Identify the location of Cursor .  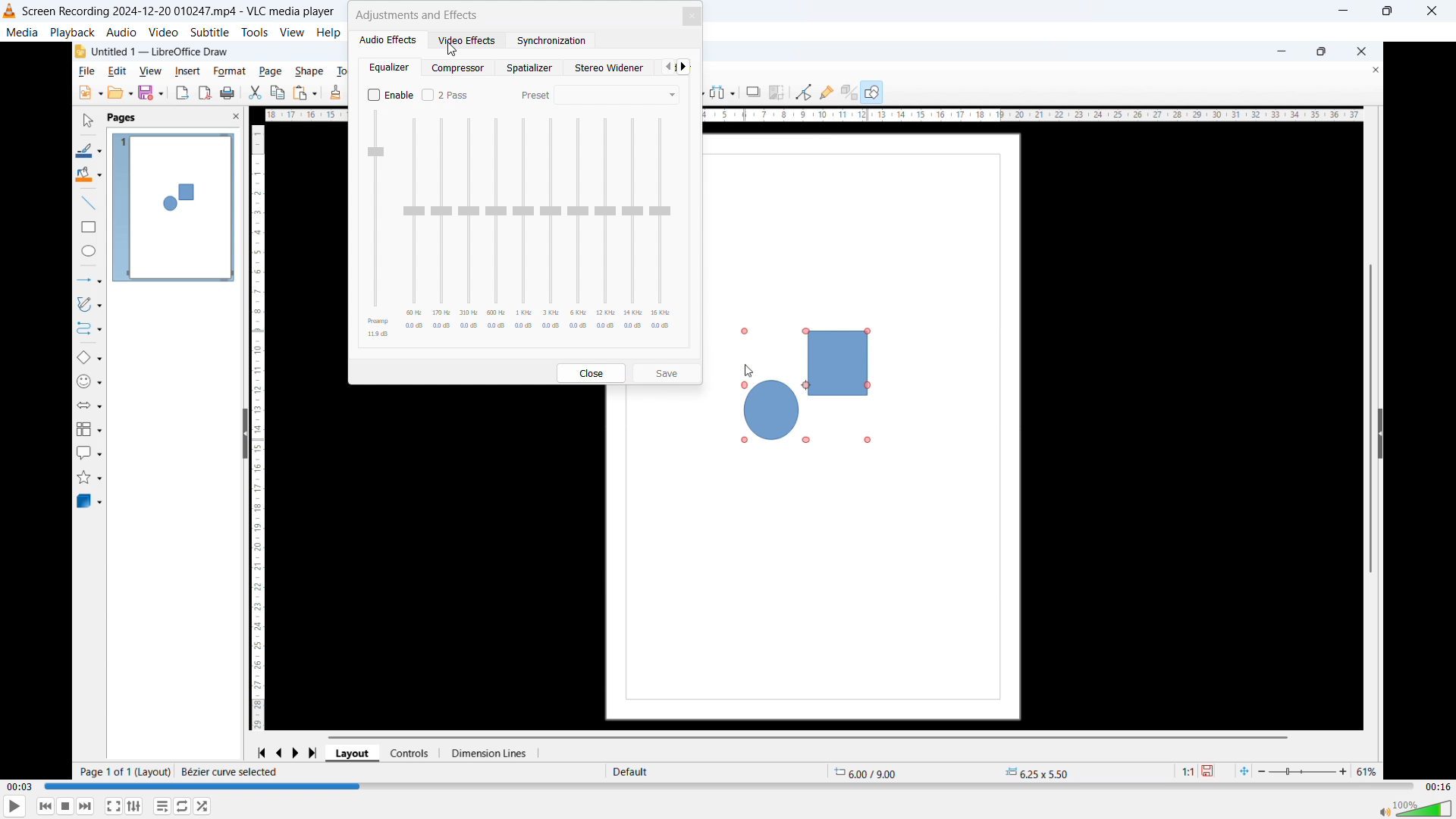
(453, 49).